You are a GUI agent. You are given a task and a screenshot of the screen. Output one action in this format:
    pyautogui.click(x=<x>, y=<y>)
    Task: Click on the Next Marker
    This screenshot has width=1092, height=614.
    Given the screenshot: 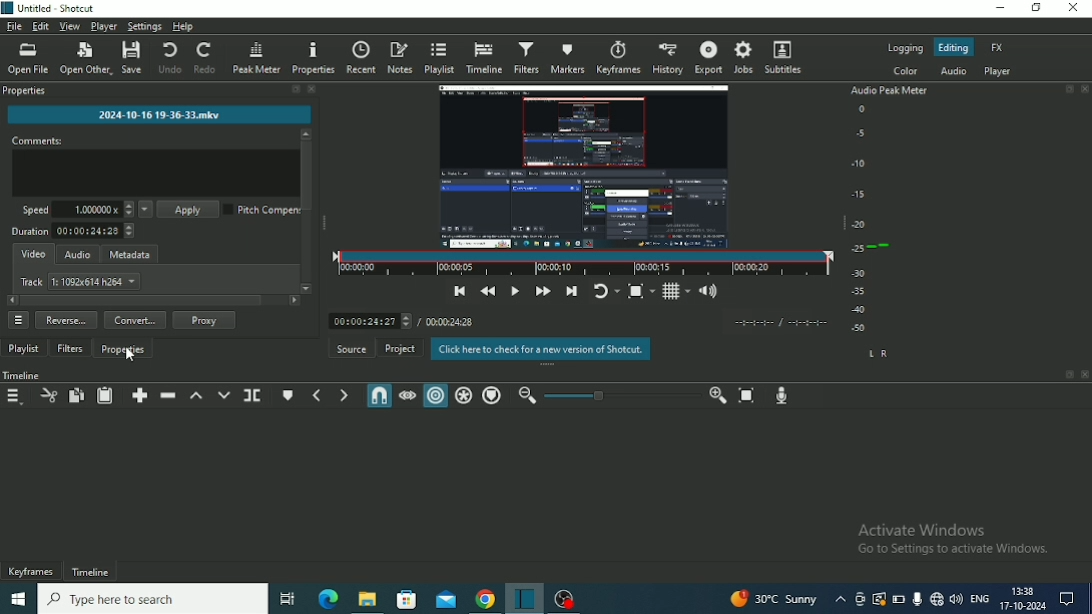 What is the action you would take?
    pyautogui.click(x=344, y=395)
    